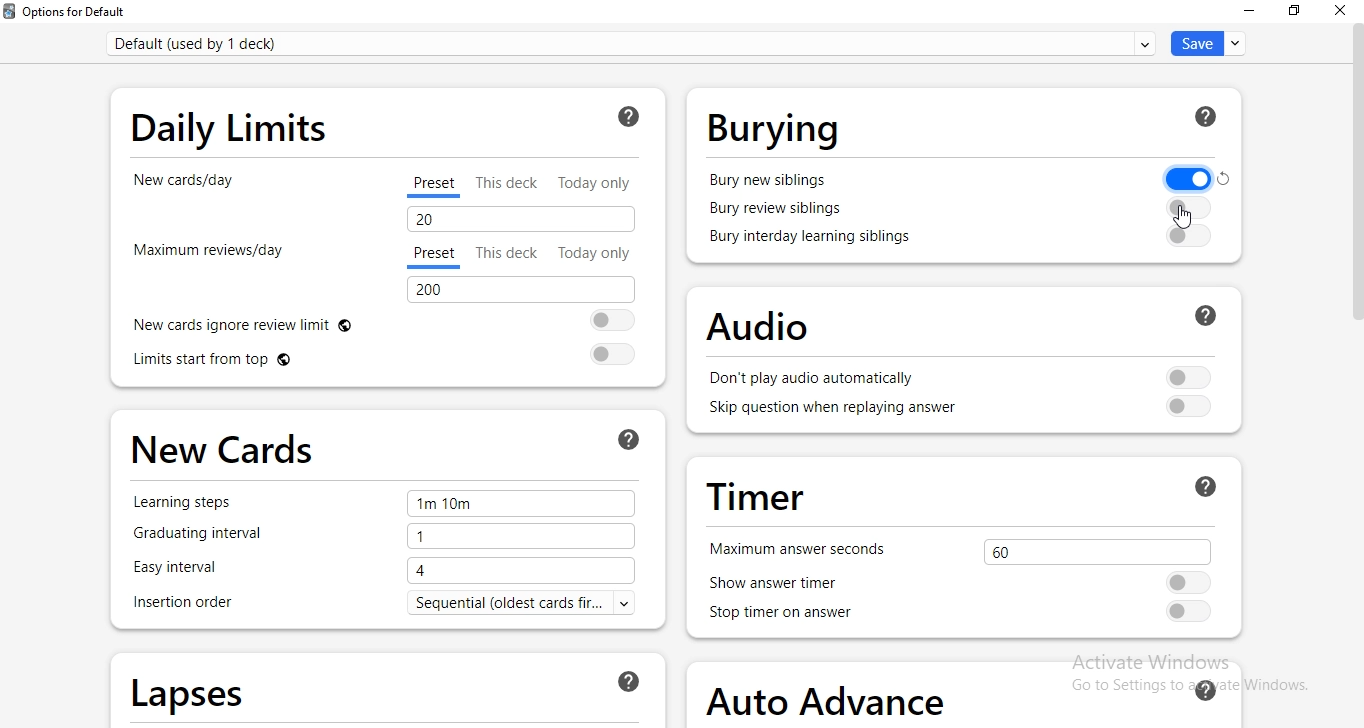 Image resolution: width=1364 pixels, height=728 pixels. What do you see at coordinates (184, 604) in the screenshot?
I see `insertion order` at bounding box center [184, 604].